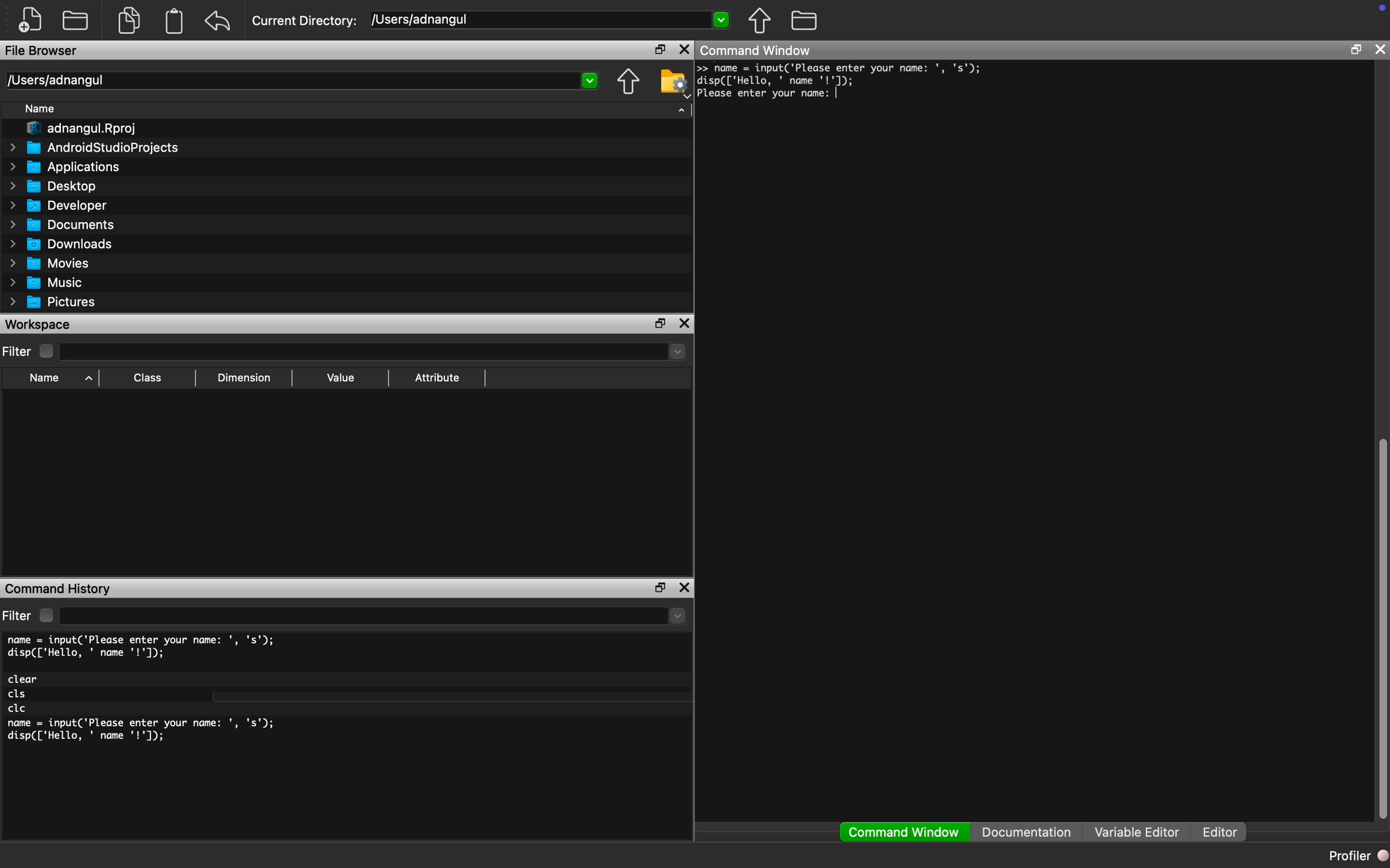  Describe the element at coordinates (685, 587) in the screenshot. I see `close` at that location.